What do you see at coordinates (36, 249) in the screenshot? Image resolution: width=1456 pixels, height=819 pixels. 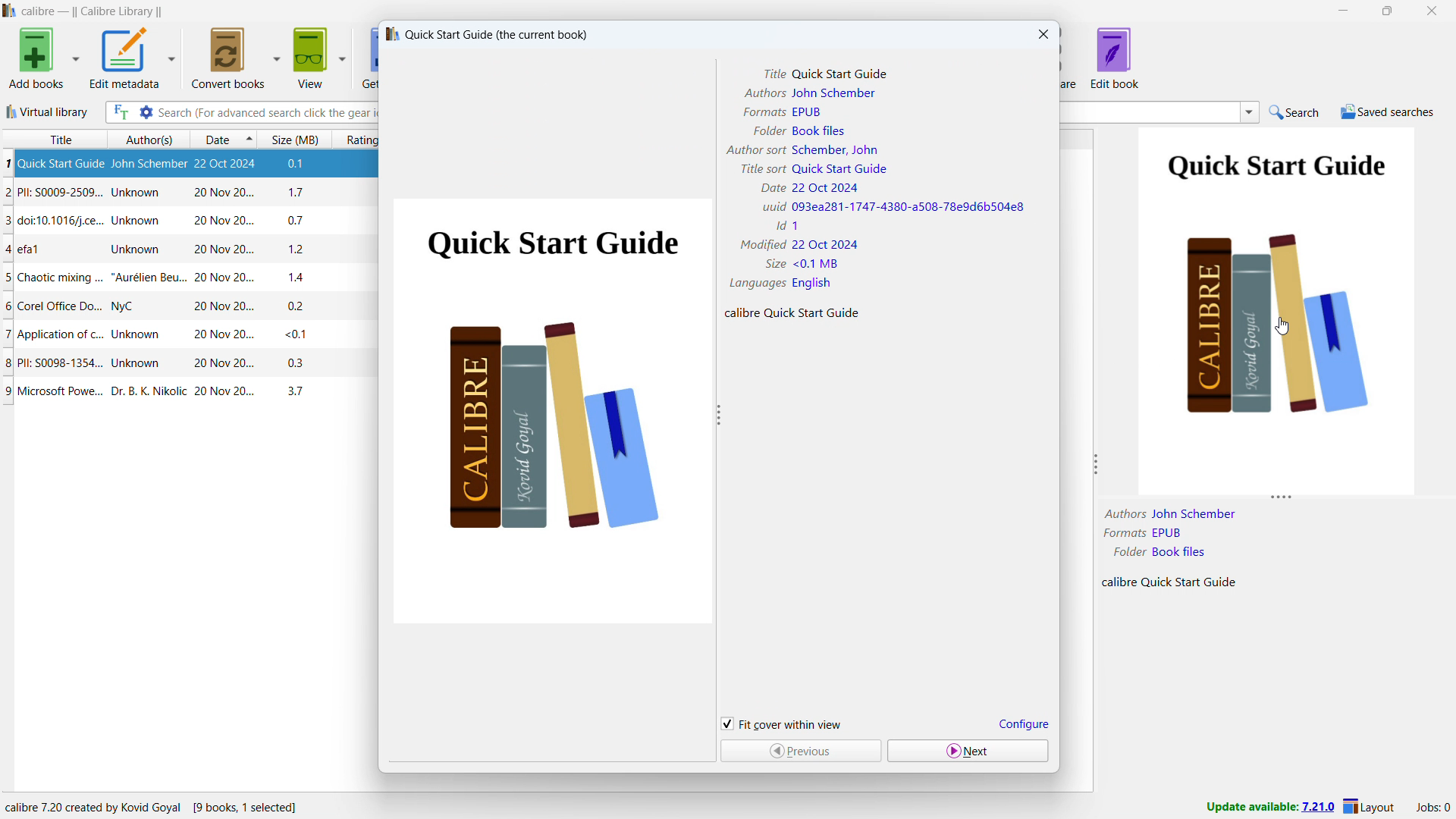 I see `efal ` at bounding box center [36, 249].